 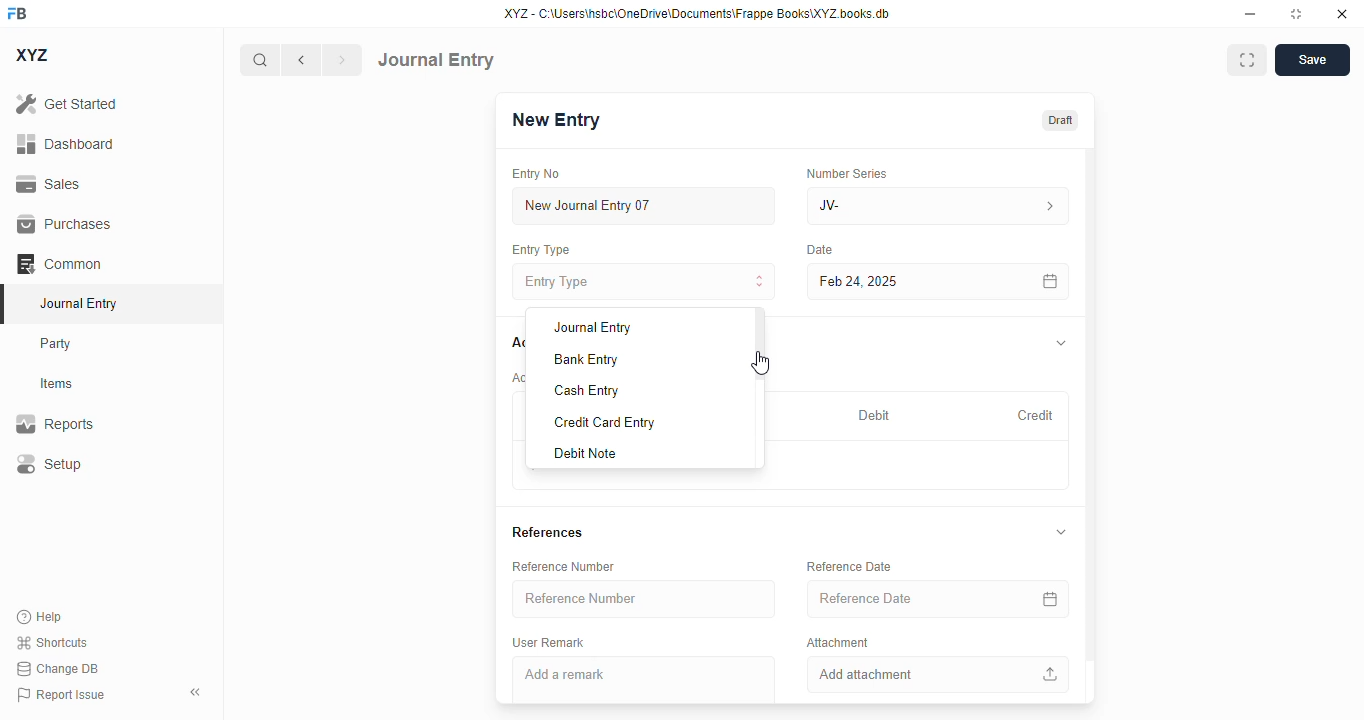 What do you see at coordinates (65, 143) in the screenshot?
I see `dashboard` at bounding box center [65, 143].